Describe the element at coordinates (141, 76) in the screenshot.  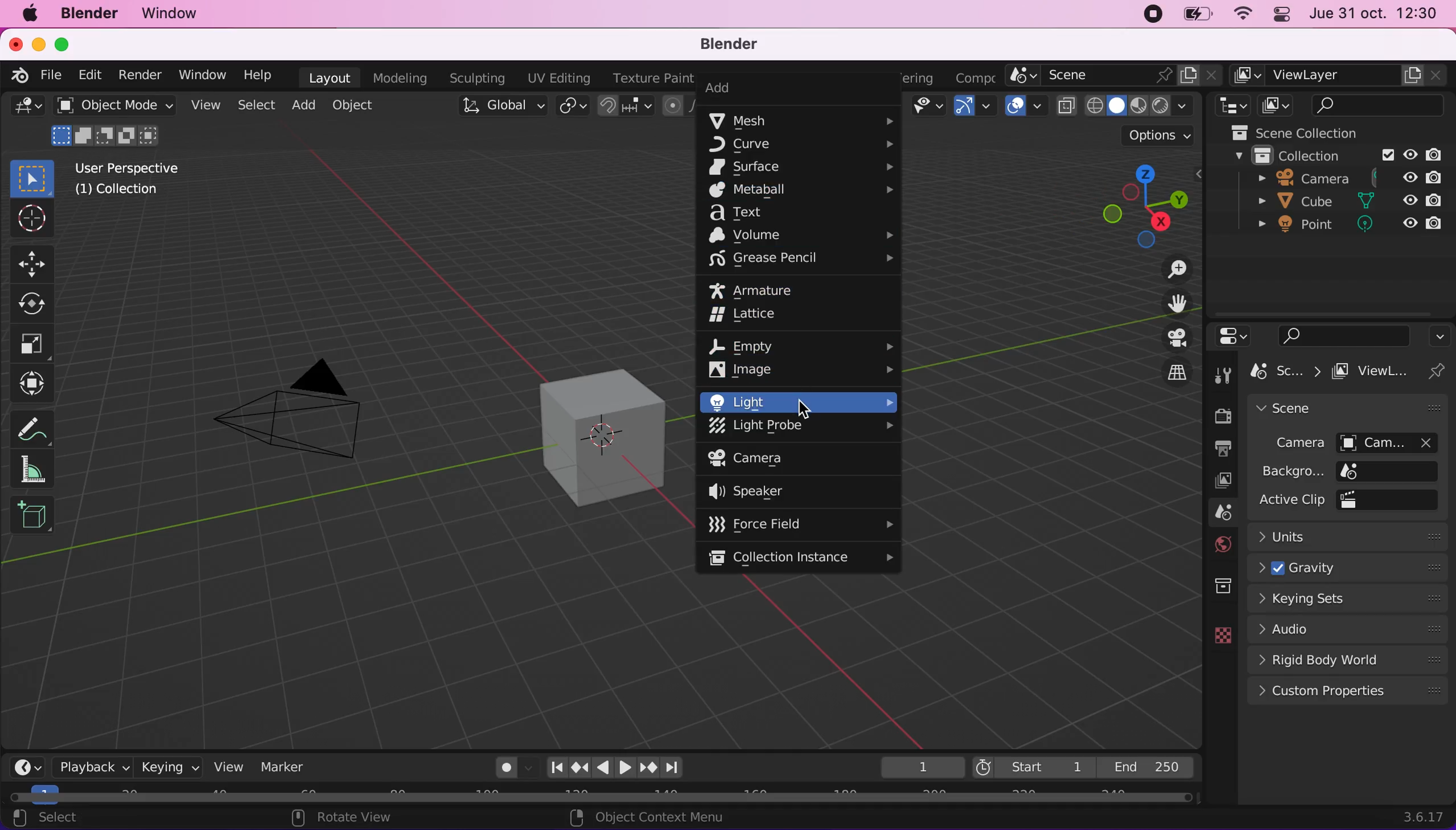
I see `render` at that location.